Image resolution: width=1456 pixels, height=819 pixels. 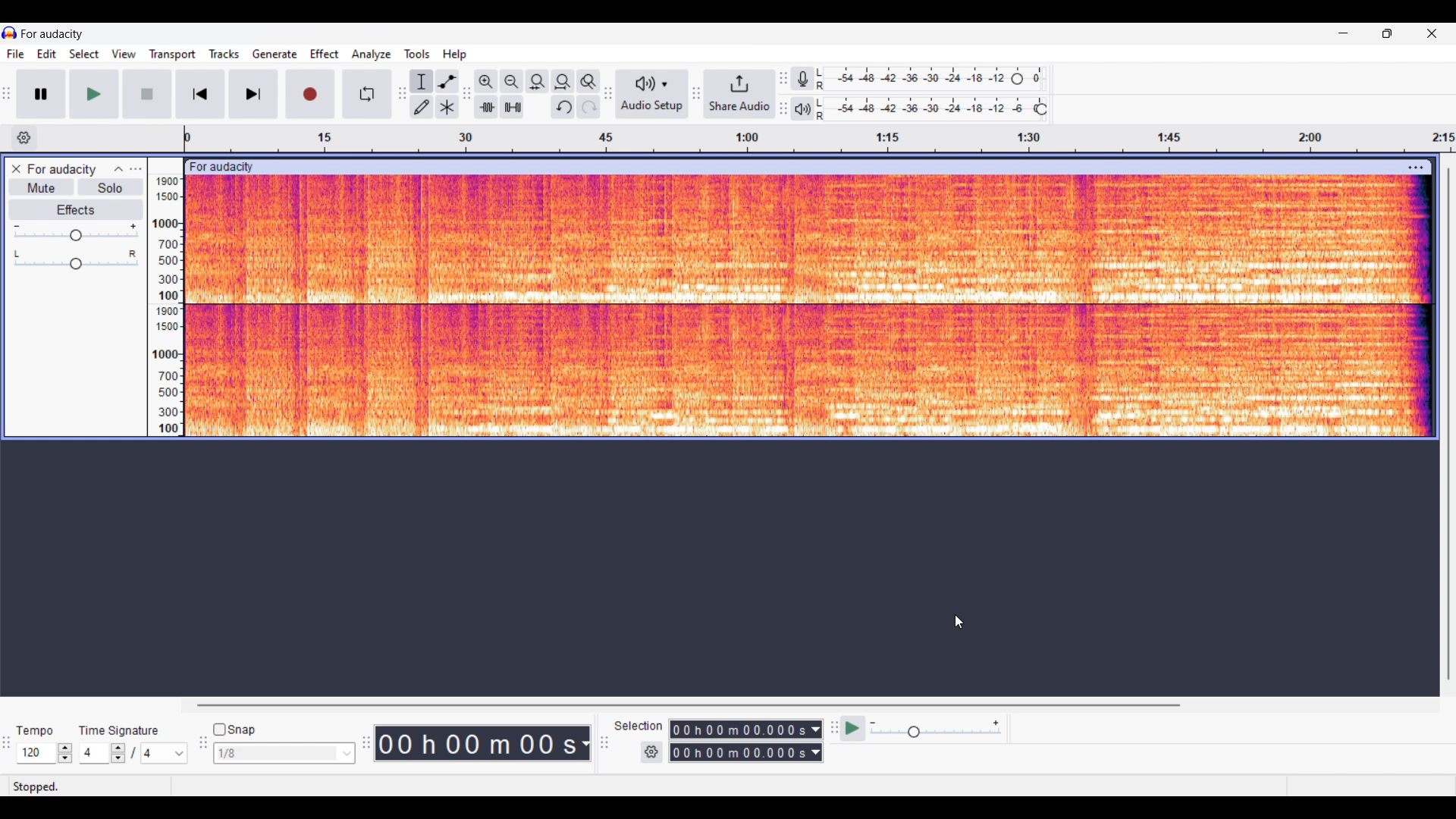 What do you see at coordinates (25, 138) in the screenshot?
I see `Timeline options` at bounding box center [25, 138].